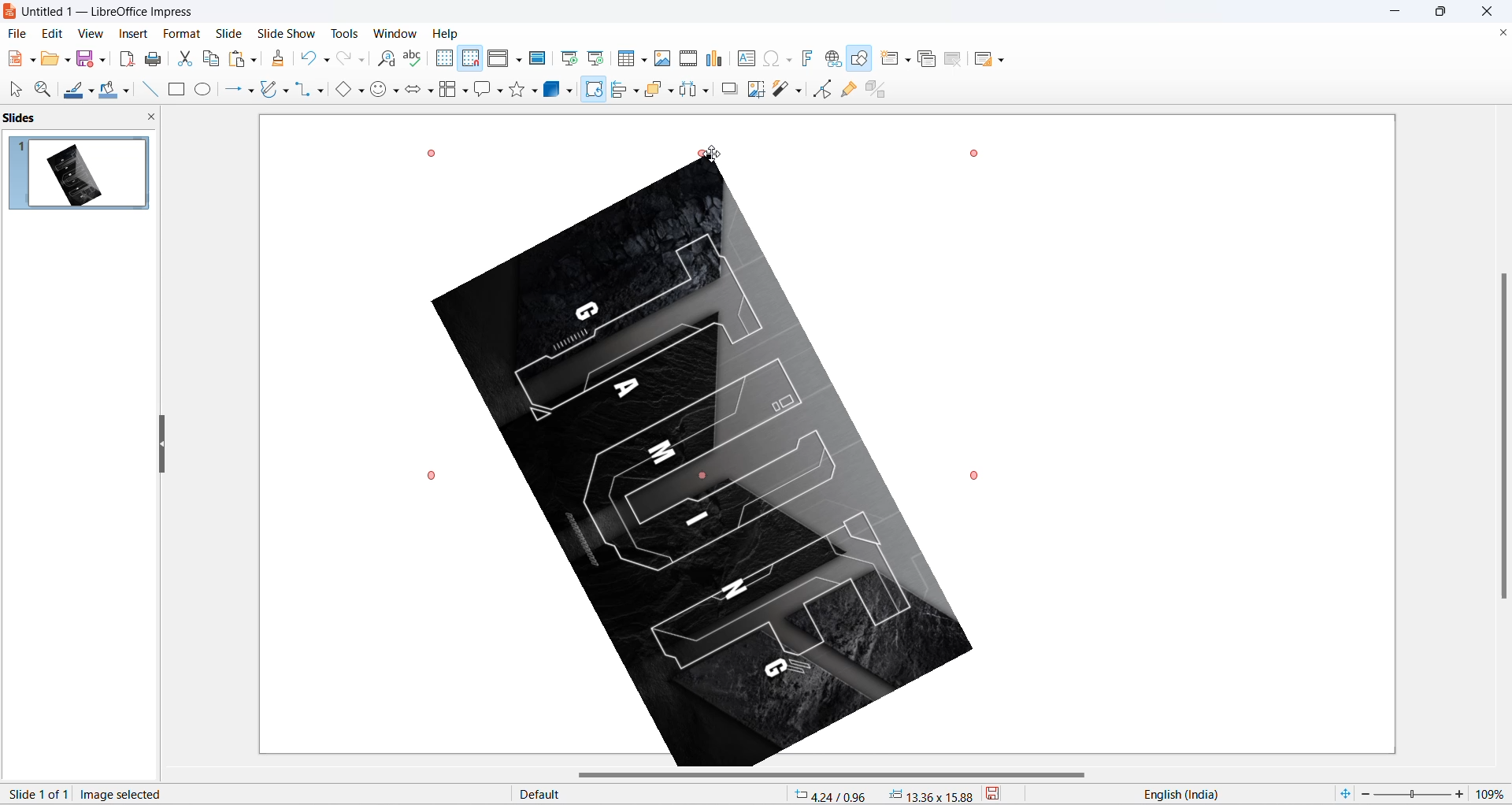 This screenshot has width=1512, height=805. I want to click on callout shapes options, so click(498, 92).